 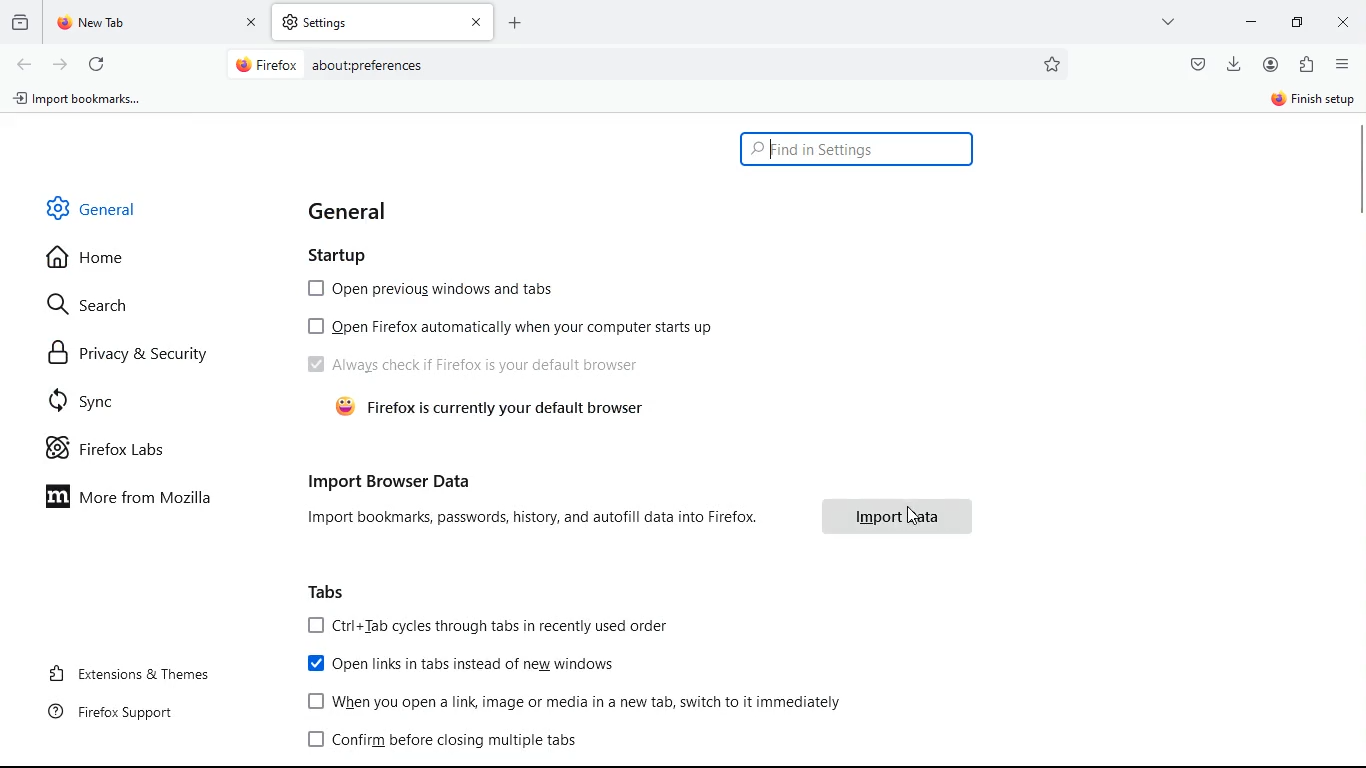 What do you see at coordinates (331, 592) in the screenshot?
I see `tabs` at bounding box center [331, 592].